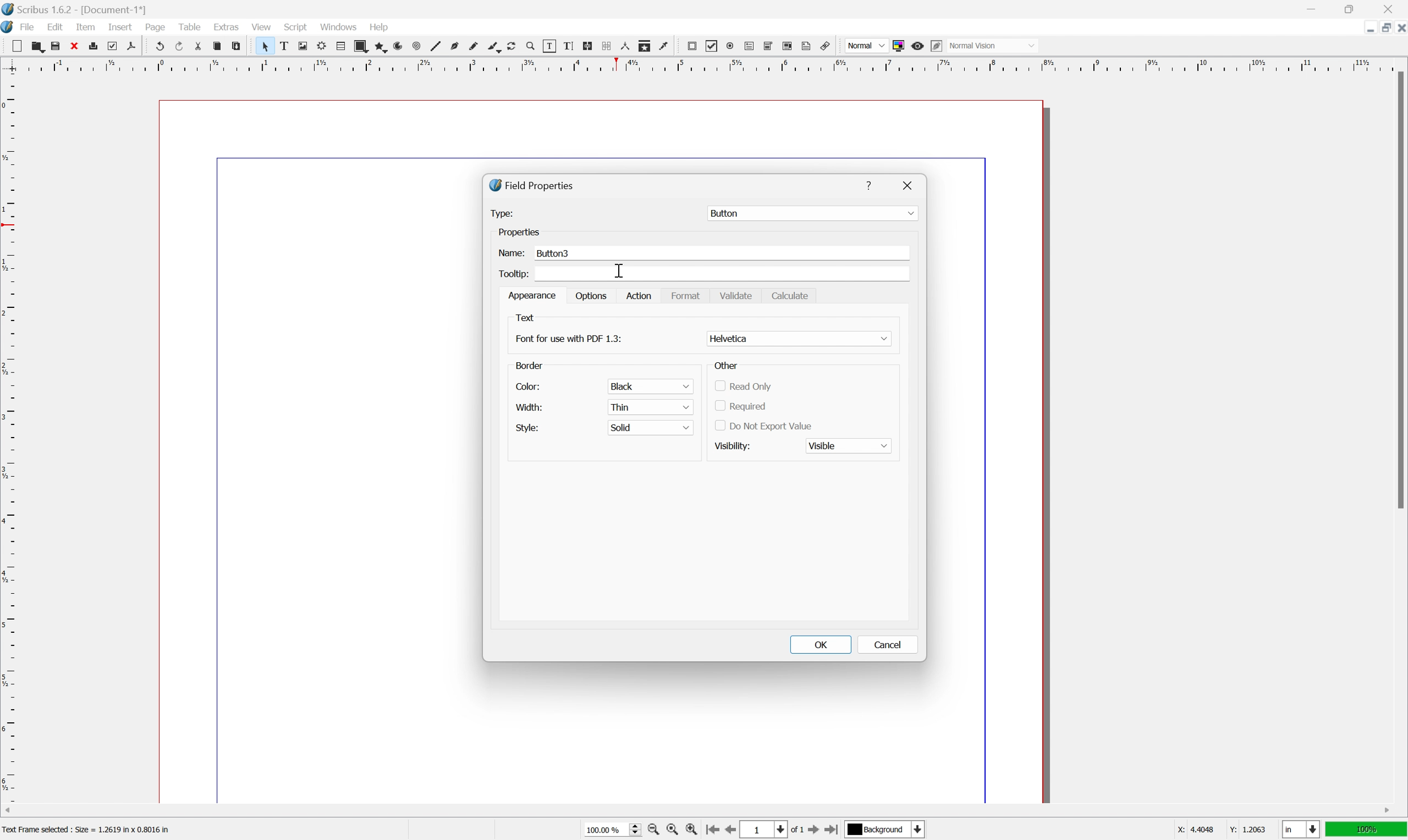 The width and height of the screenshot is (1408, 840). Describe the element at coordinates (827, 46) in the screenshot. I see `link annotation` at that location.